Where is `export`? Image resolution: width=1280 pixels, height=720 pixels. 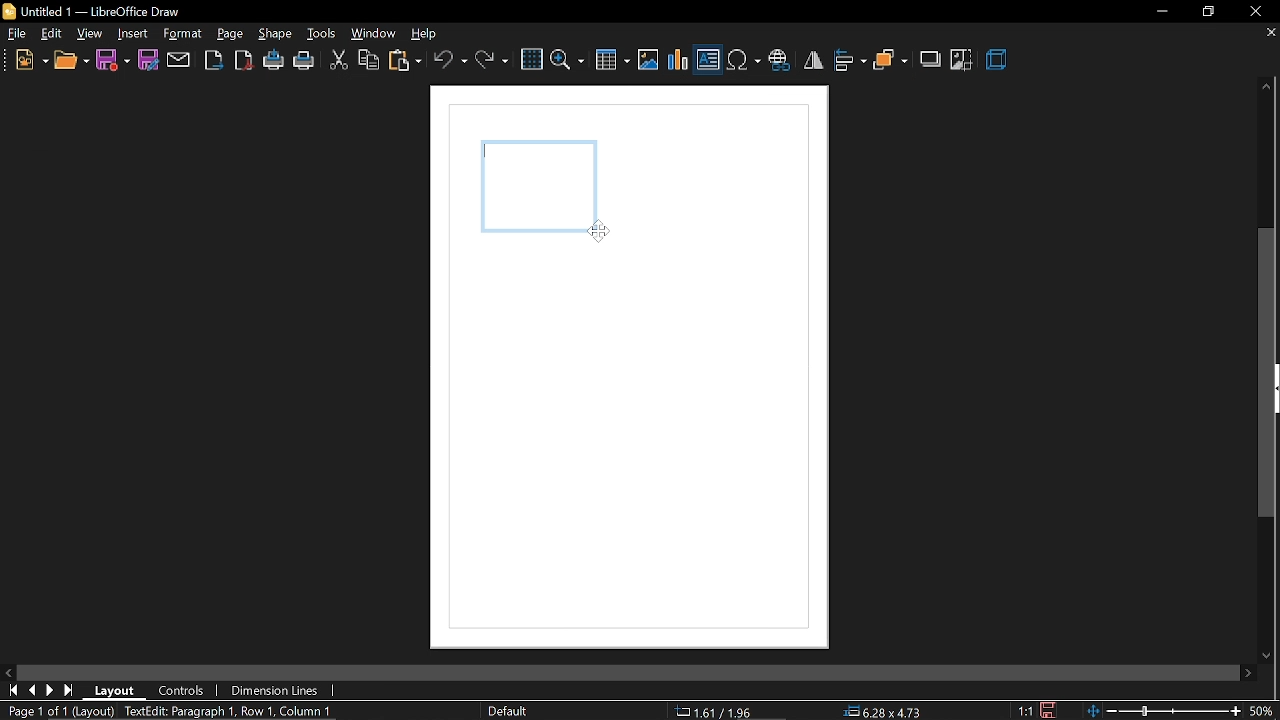
export is located at coordinates (213, 60).